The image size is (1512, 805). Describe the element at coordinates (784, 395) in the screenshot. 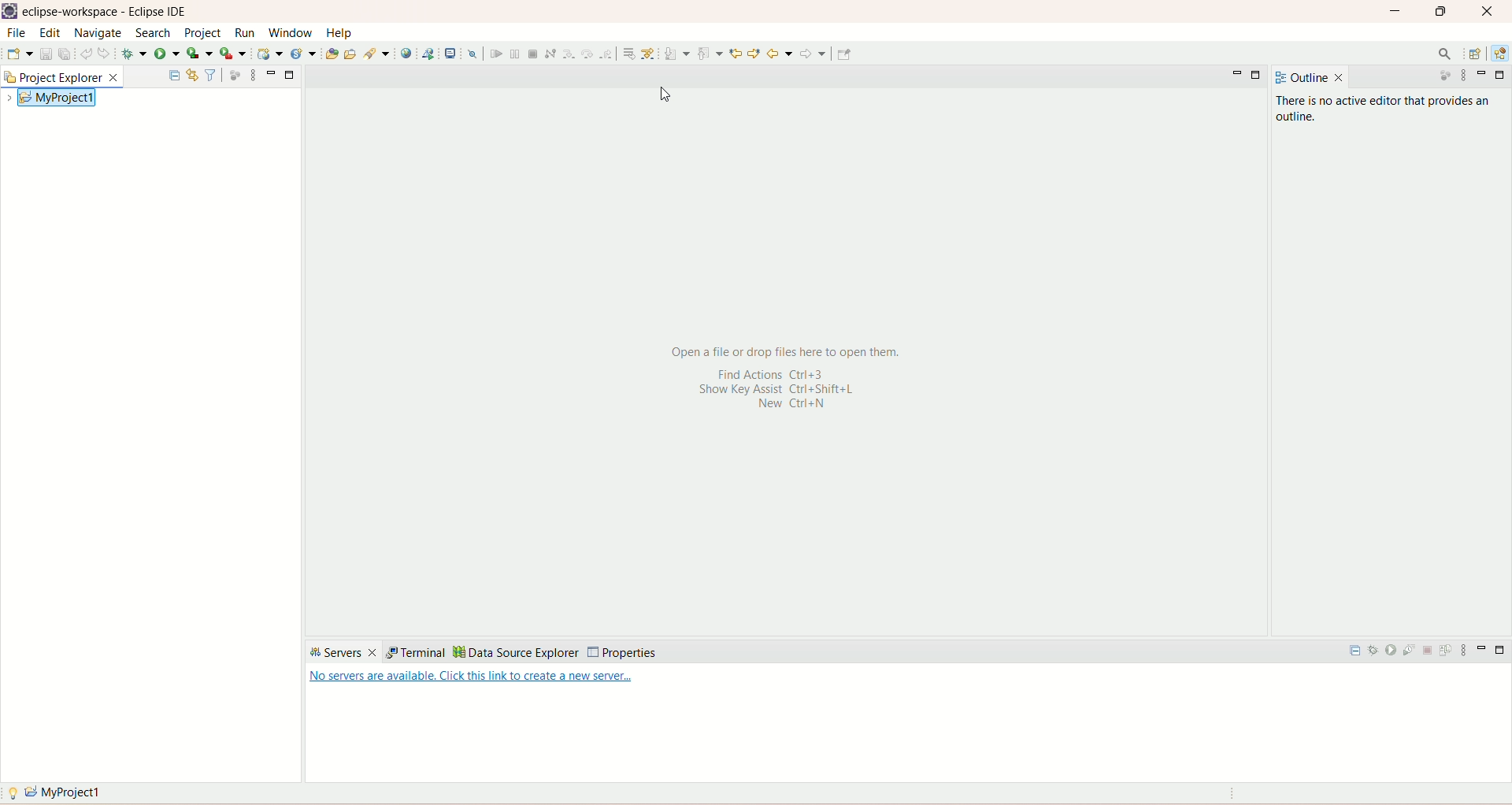

I see `shortcut key` at that location.